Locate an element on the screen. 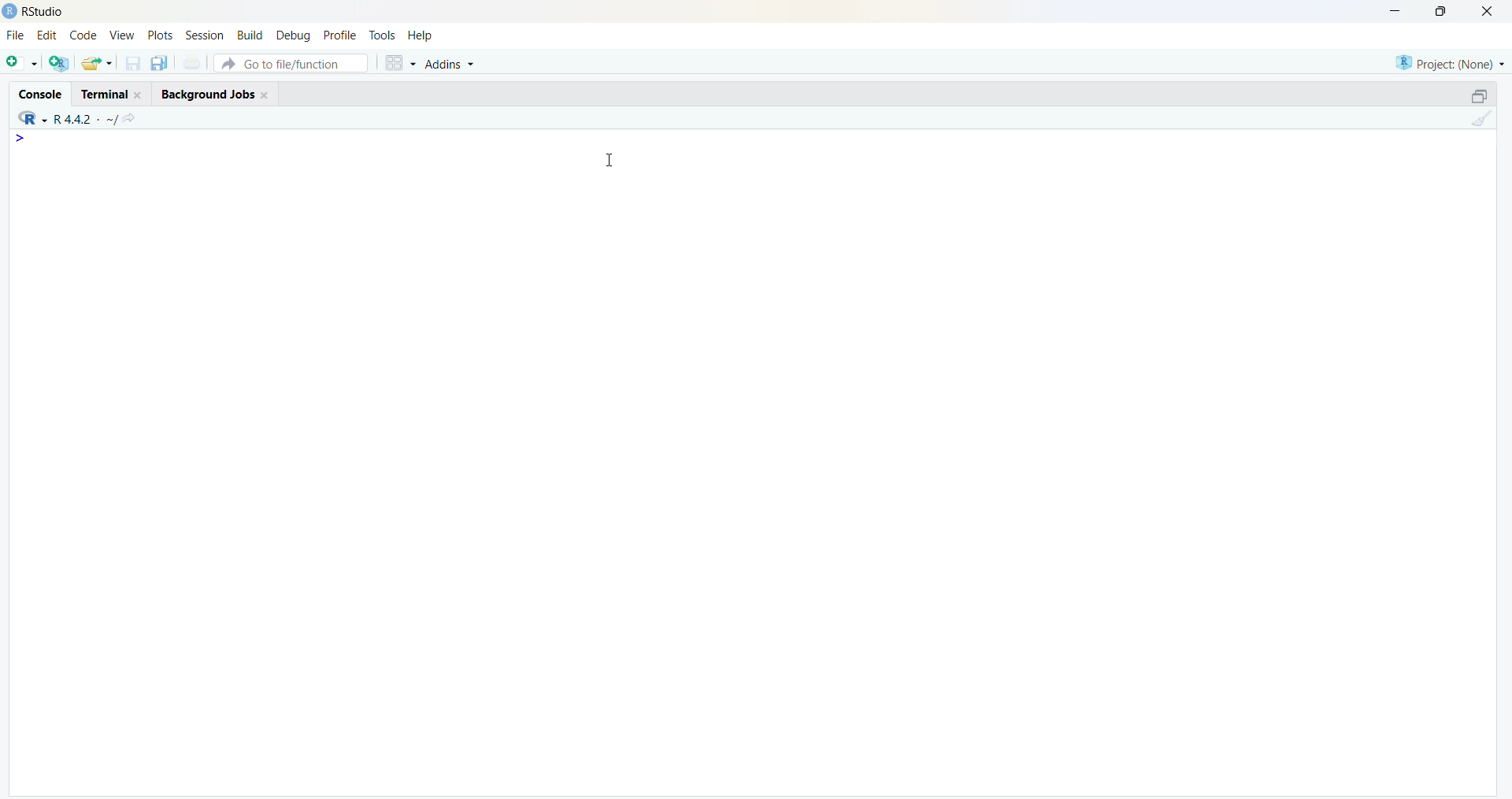  cursor is located at coordinates (610, 162).